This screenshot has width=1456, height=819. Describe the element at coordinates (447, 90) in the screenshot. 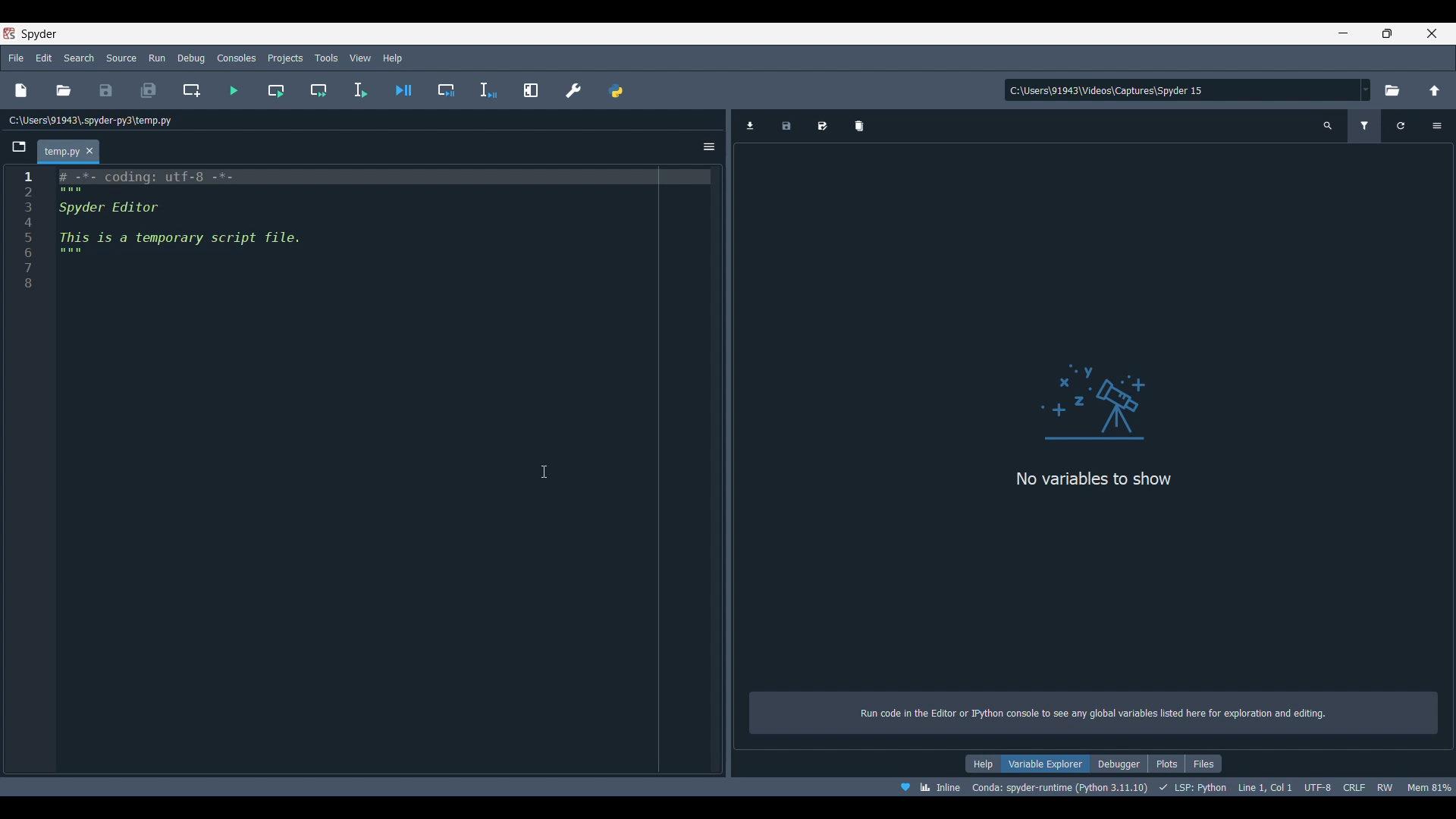

I see `Debug cell` at that location.